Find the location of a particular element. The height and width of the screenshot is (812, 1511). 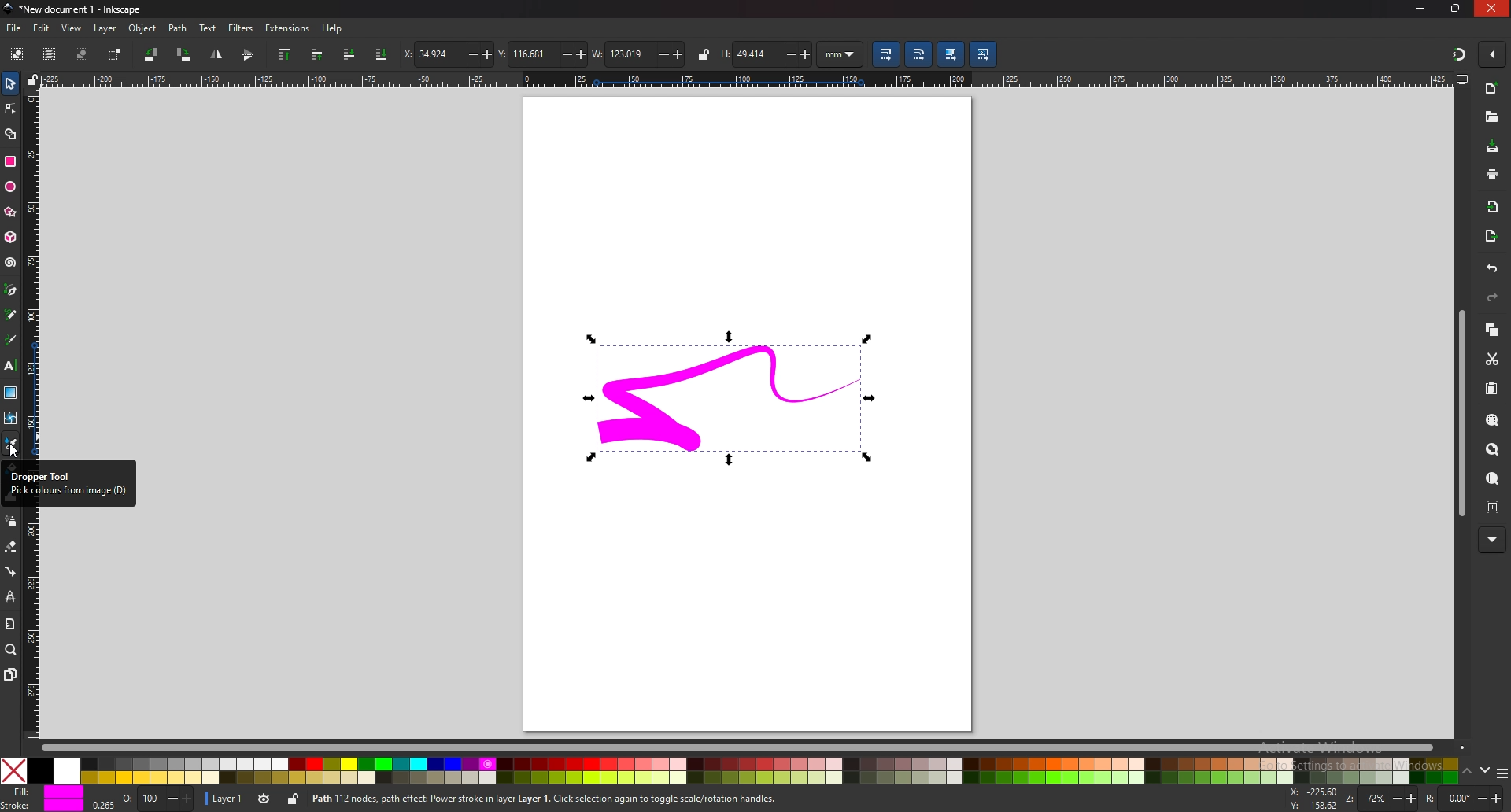

Path 112 nodes, path effect: Power stroke in layer Layer 1. Click selection again to toggle scale/rotation handles. is located at coordinates (549, 799).